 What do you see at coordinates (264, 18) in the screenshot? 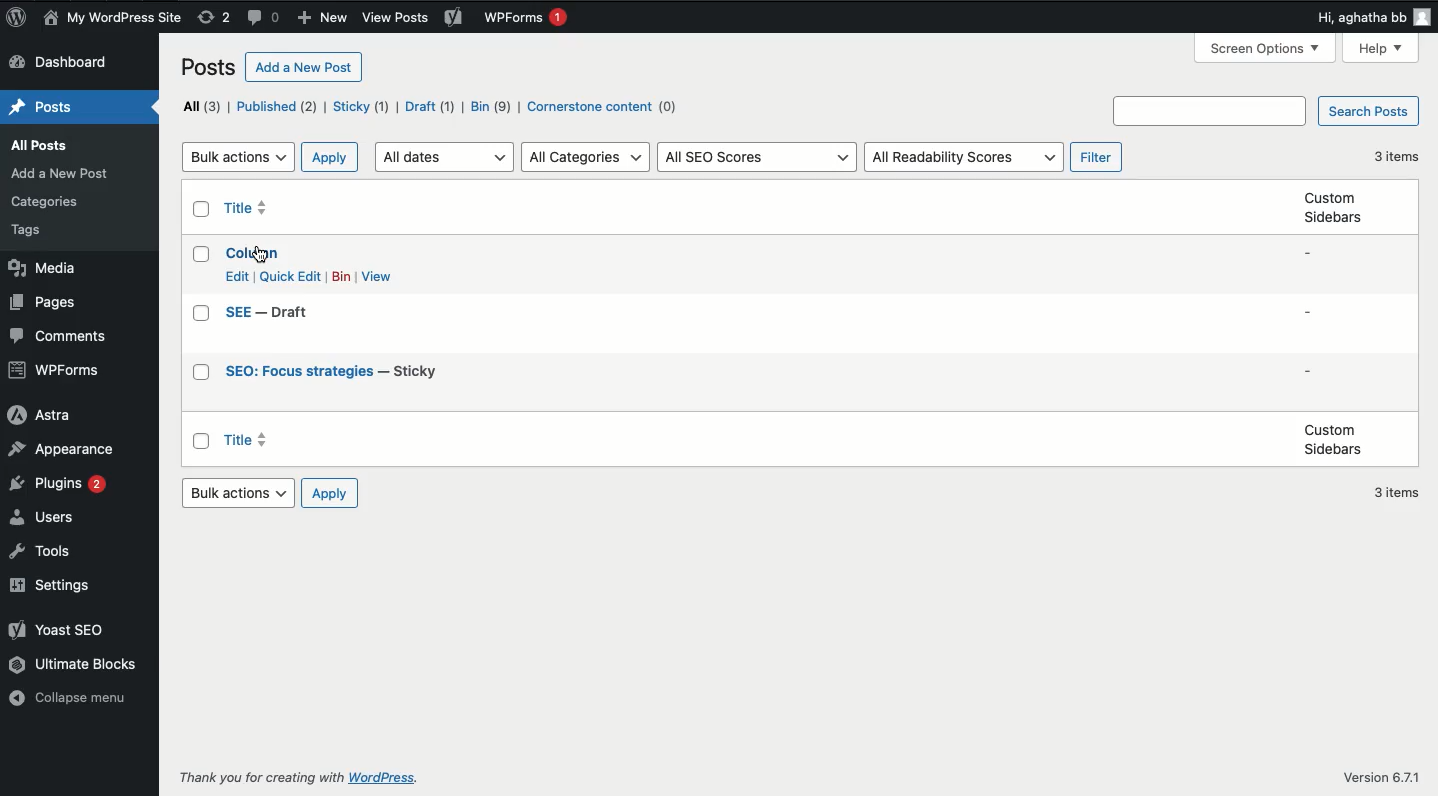
I see `Comments` at bounding box center [264, 18].